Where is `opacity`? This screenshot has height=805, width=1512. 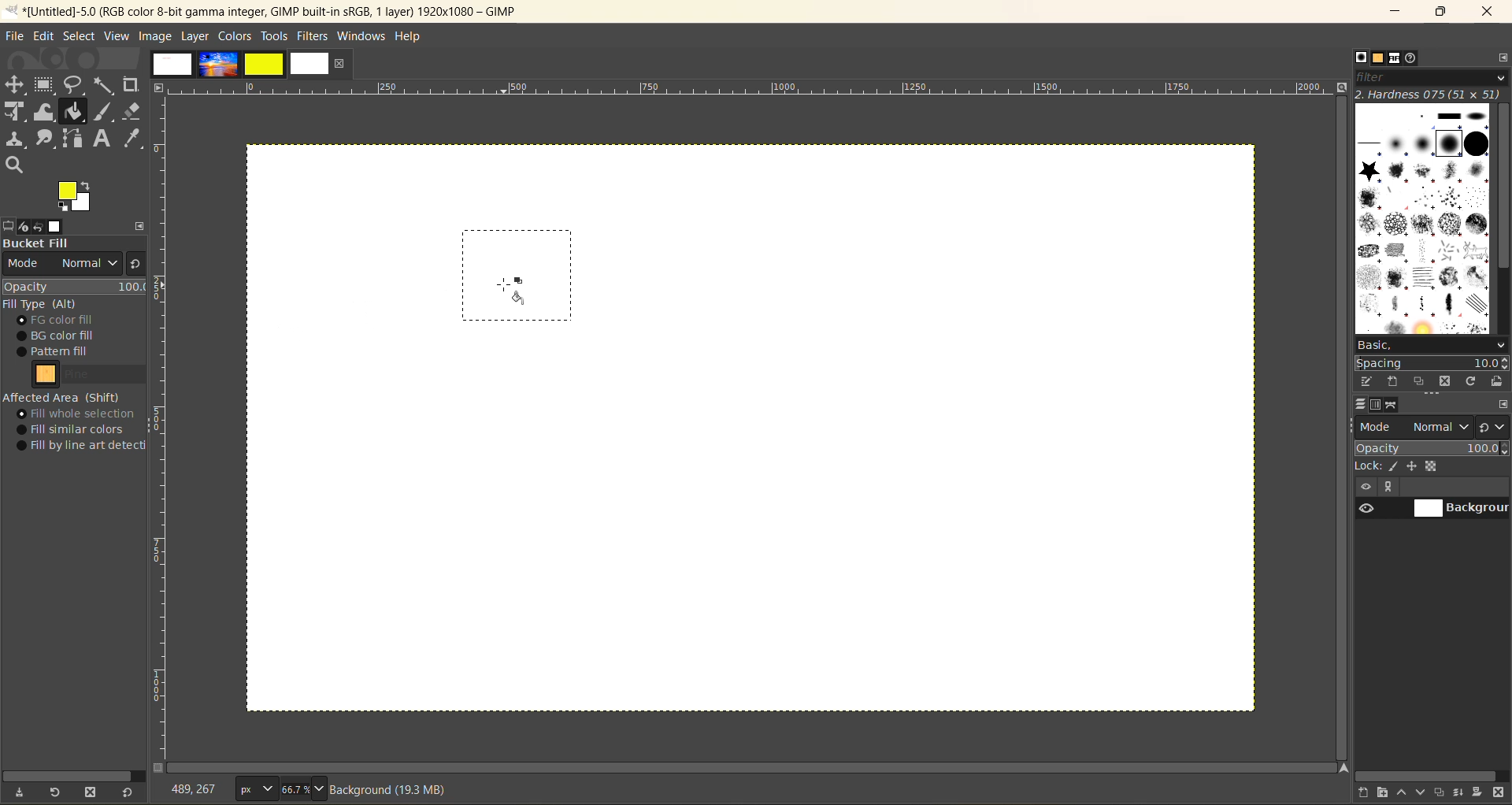
opacity is located at coordinates (1432, 448).